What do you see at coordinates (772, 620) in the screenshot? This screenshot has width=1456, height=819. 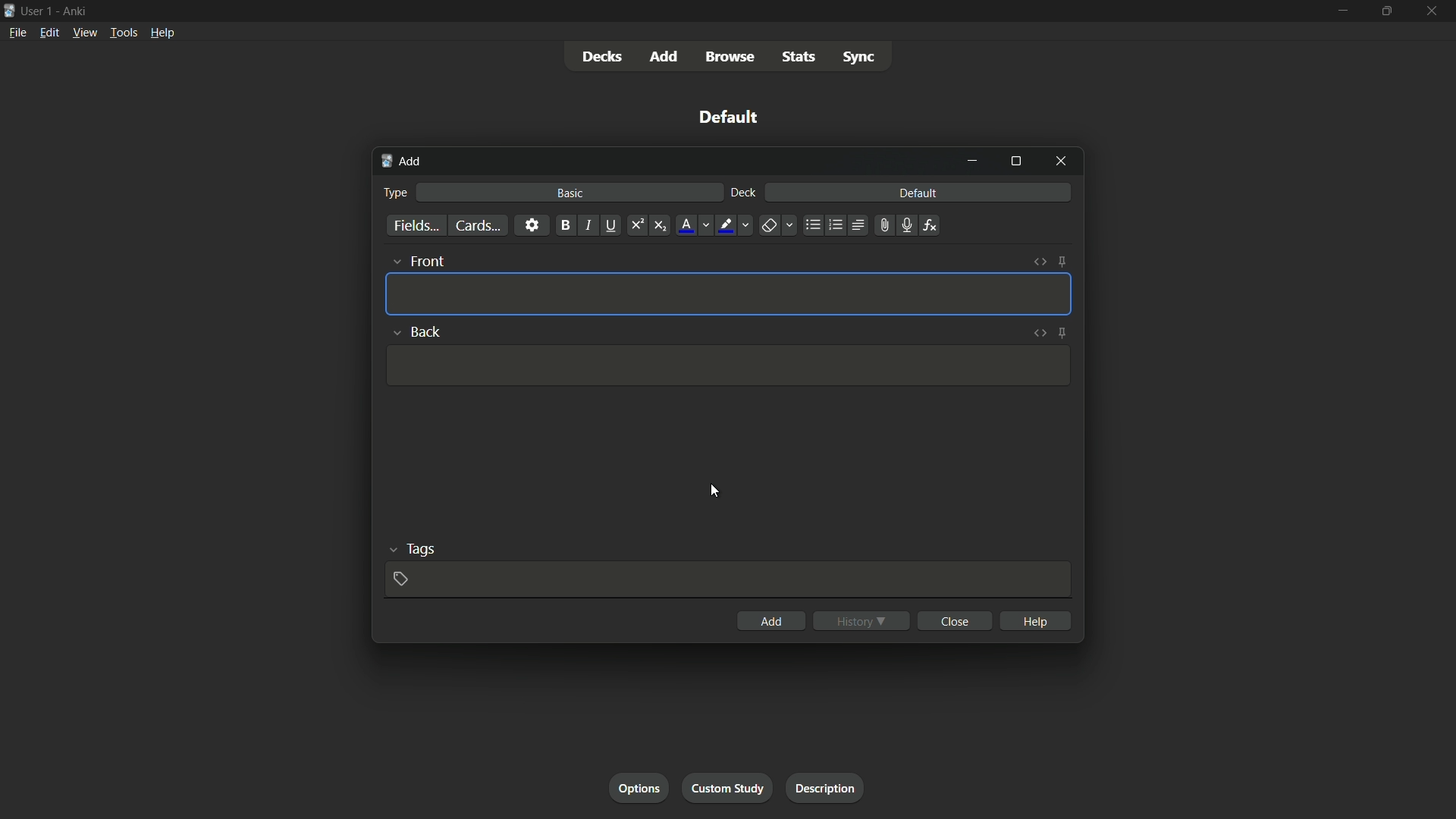 I see `add` at bounding box center [772, 620].